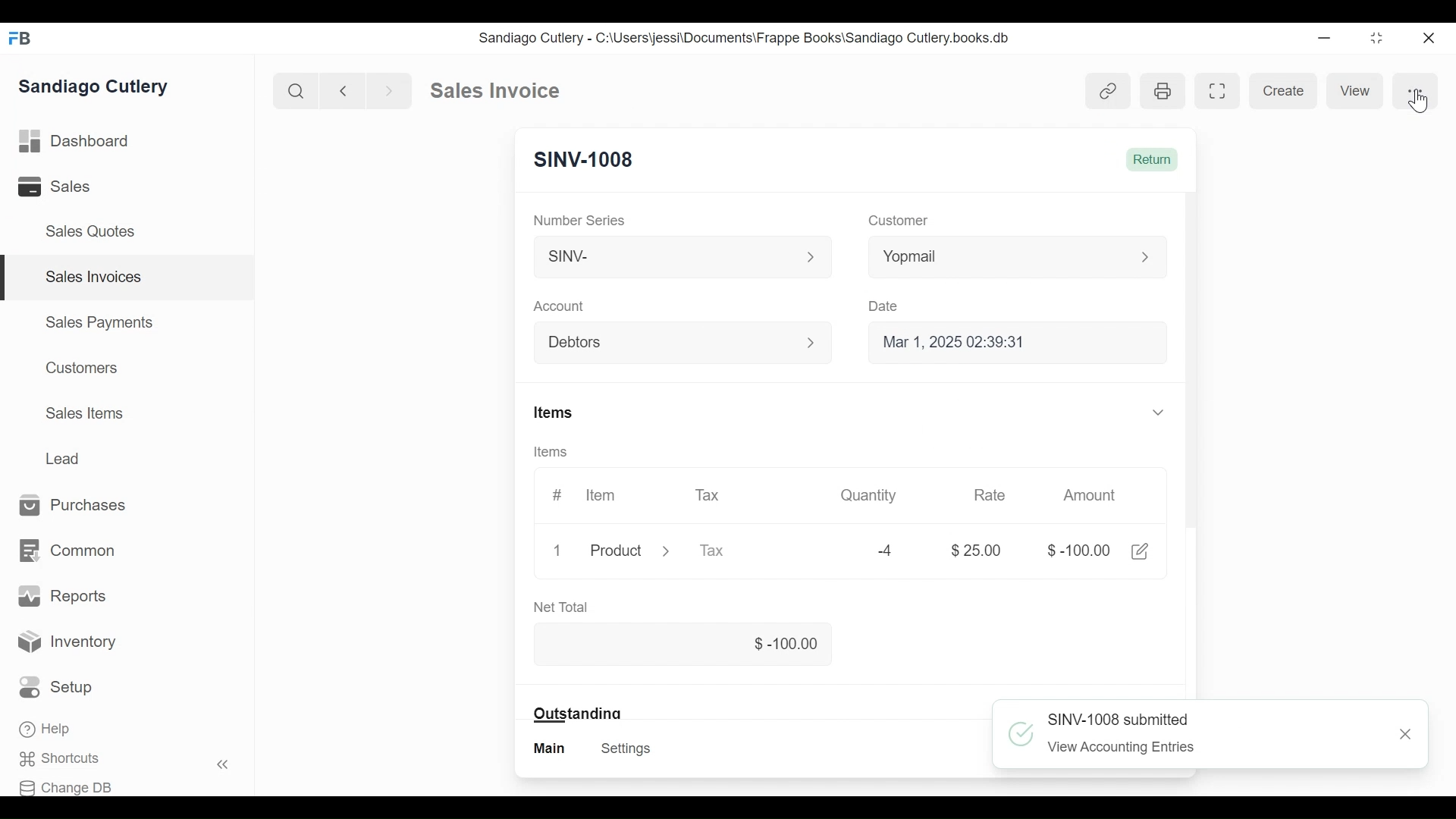  What do you see at coordinates (585, 158) in the screenshot?
I see `SINV-1008` at bounding box center [585, 158].